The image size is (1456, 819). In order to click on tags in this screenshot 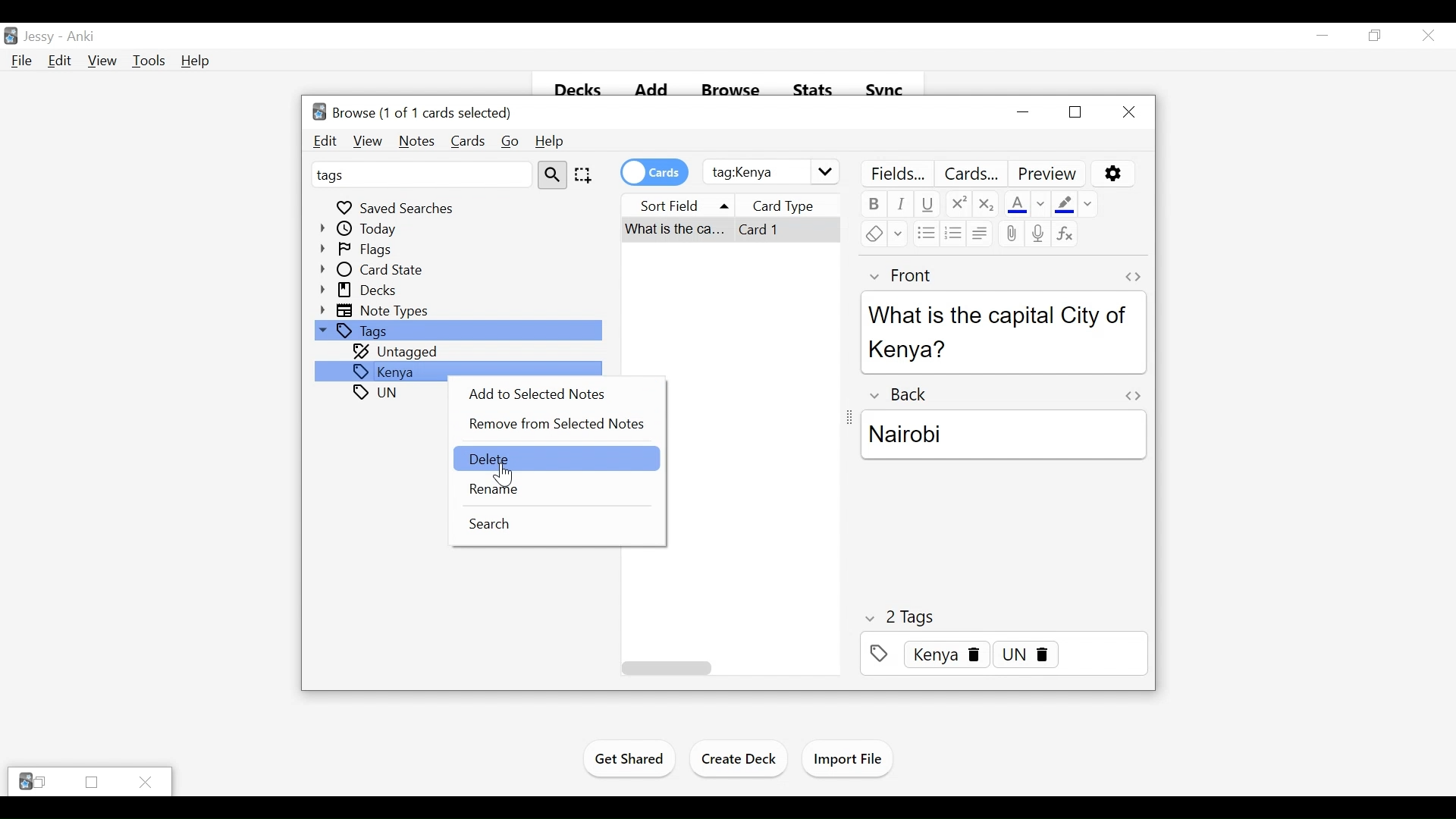, I will do `click(420, 174)`.